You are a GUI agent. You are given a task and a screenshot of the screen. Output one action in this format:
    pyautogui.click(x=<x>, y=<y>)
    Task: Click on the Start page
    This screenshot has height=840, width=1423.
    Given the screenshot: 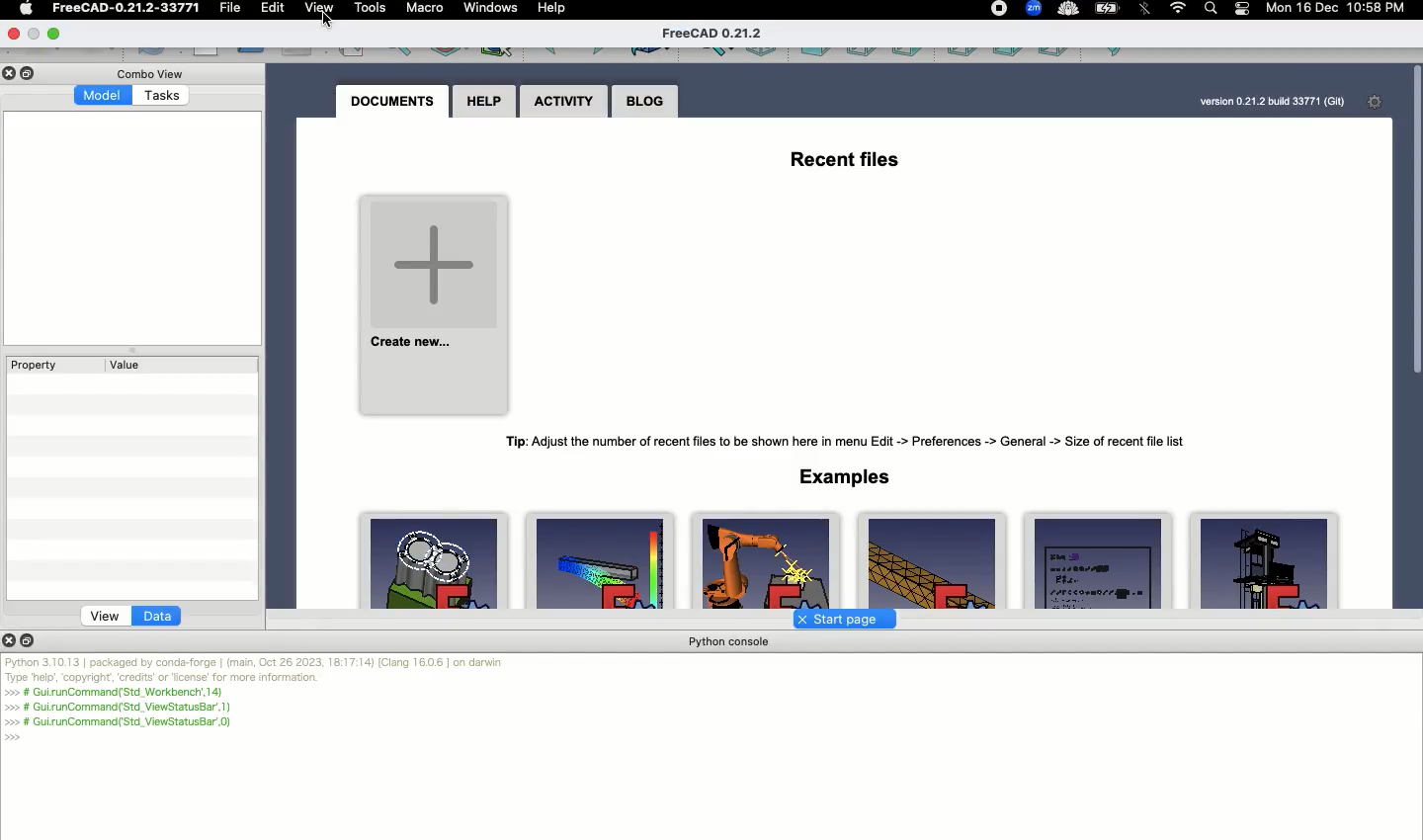 What is the action you would take?
    pyautogui.click(x=839, y=619)
    